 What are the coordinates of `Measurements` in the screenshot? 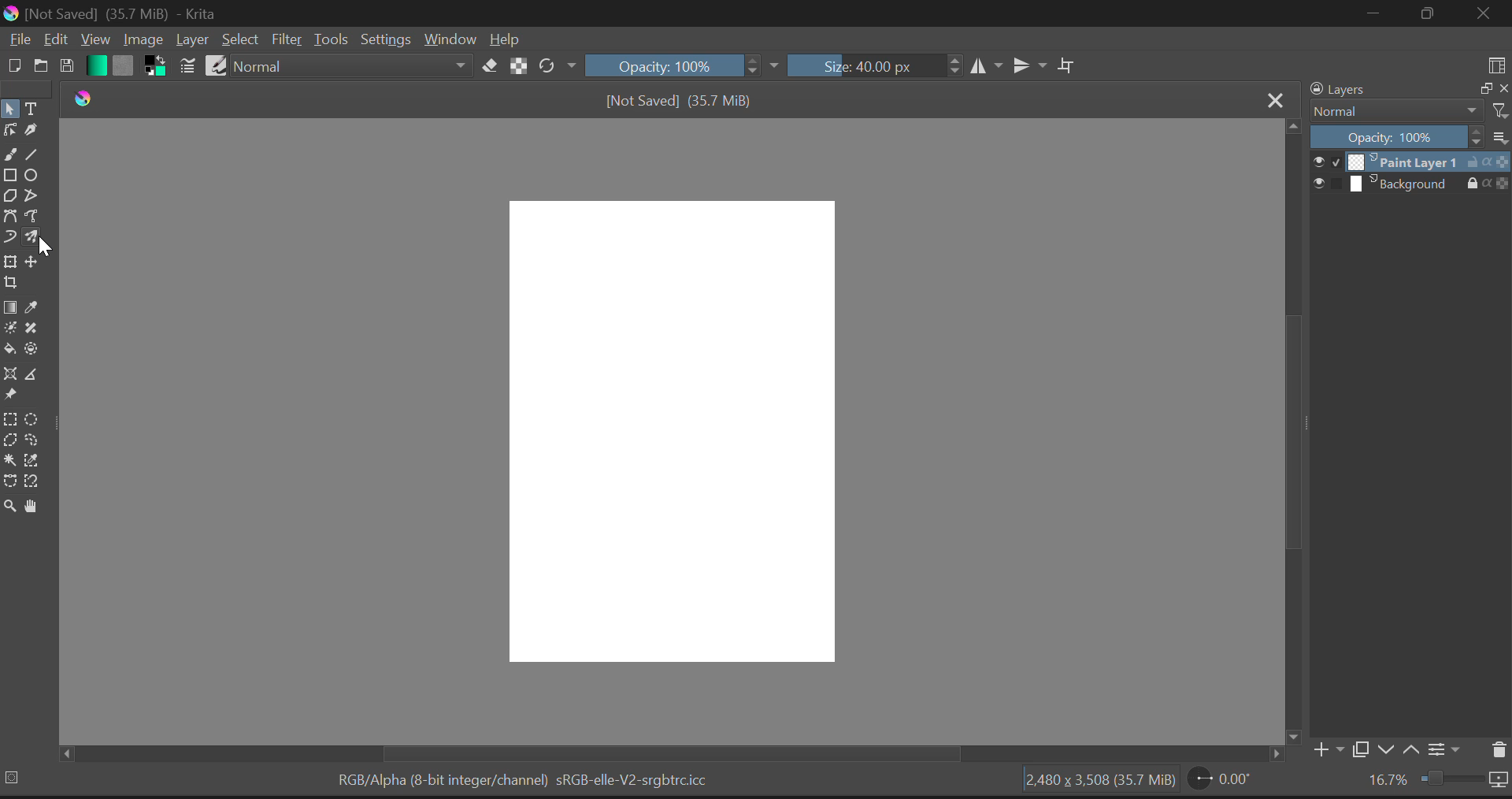 It's located at (39, 377).